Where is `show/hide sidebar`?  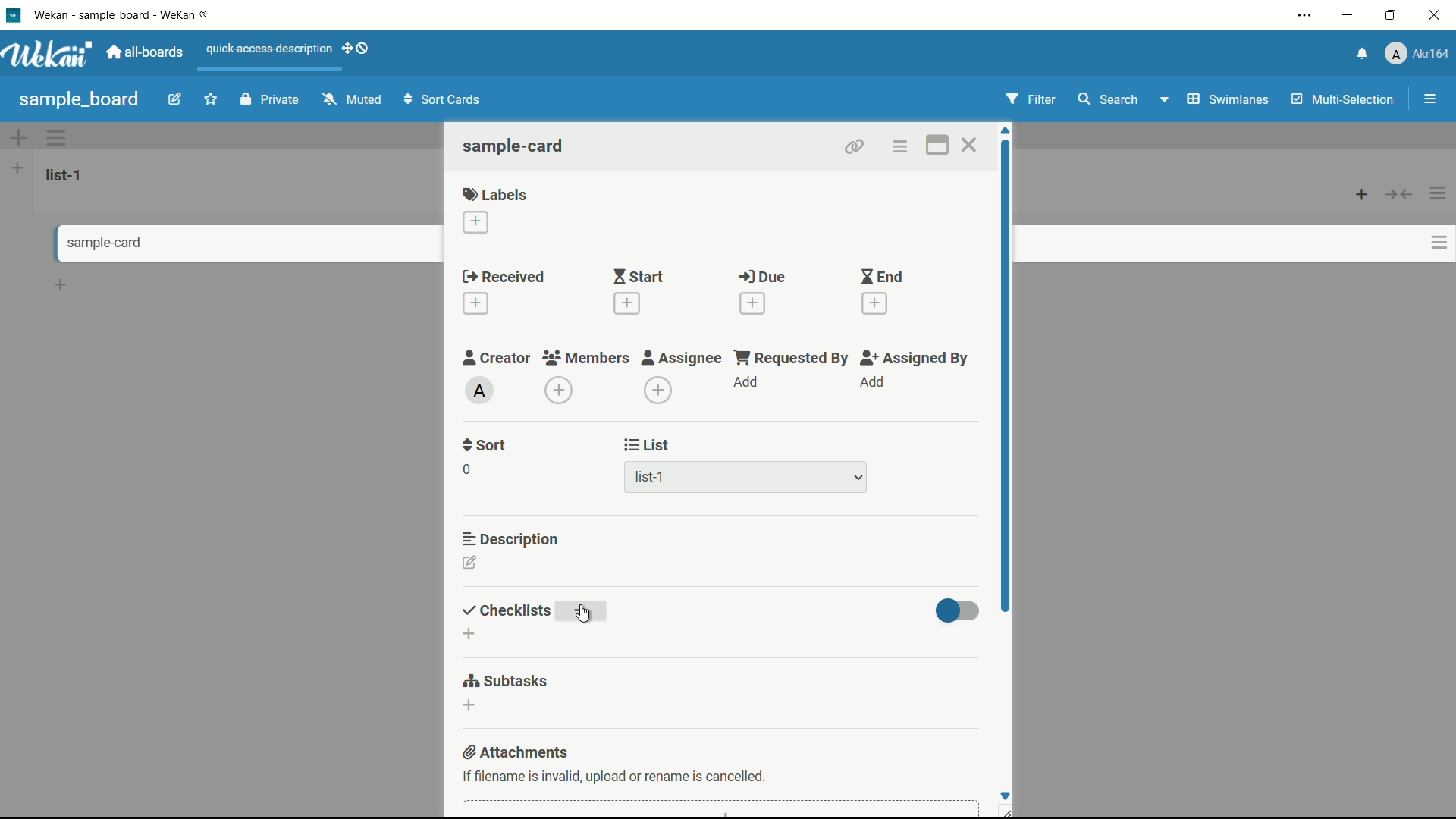 show/hide sidebar is located at coordinates (1432, 99).